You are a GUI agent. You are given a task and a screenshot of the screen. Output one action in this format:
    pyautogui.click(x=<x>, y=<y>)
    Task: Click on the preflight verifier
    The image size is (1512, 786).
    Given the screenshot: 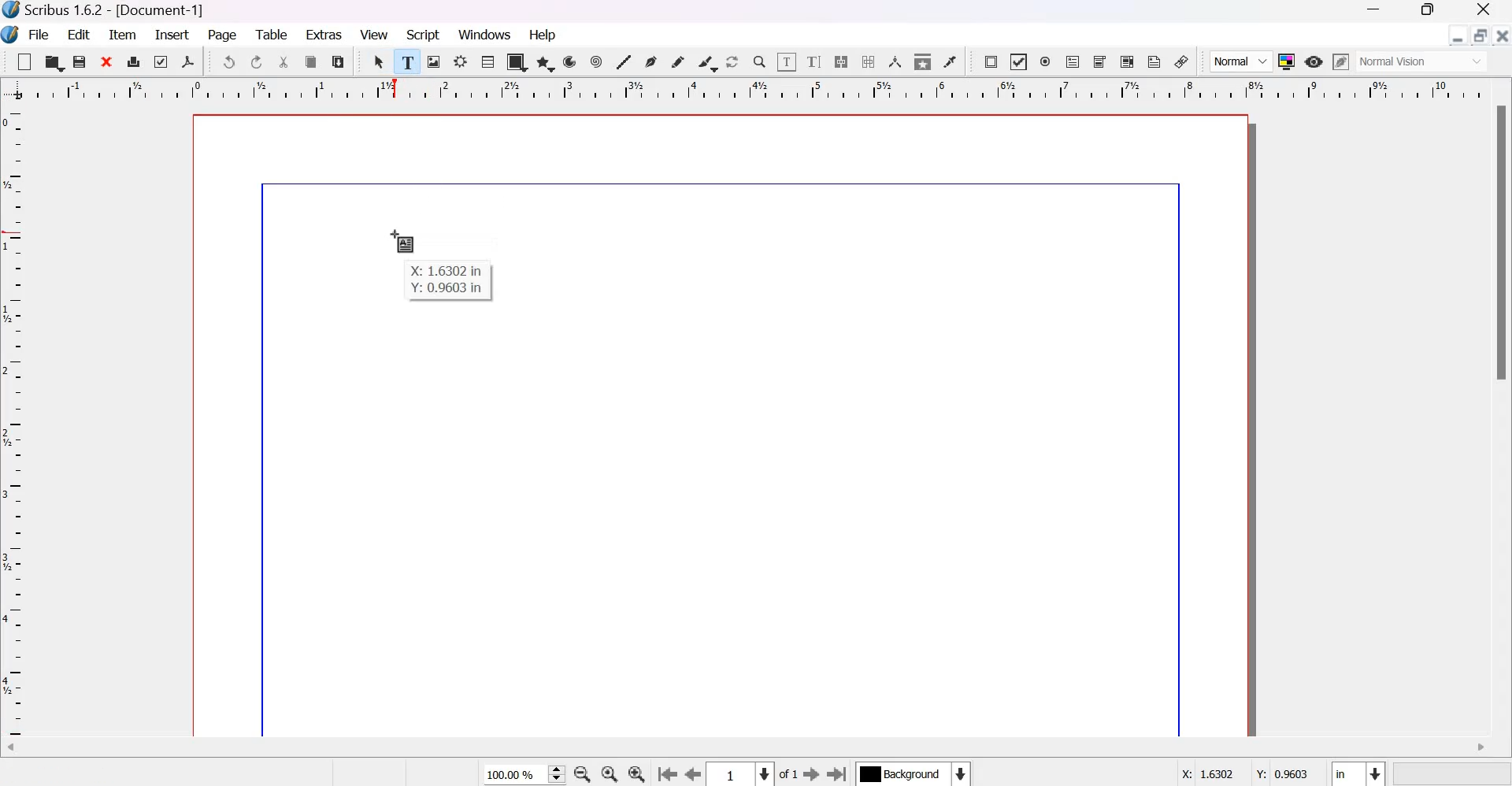 What is the action you would take?
    pyautogui.click(x=158, y=61)
    